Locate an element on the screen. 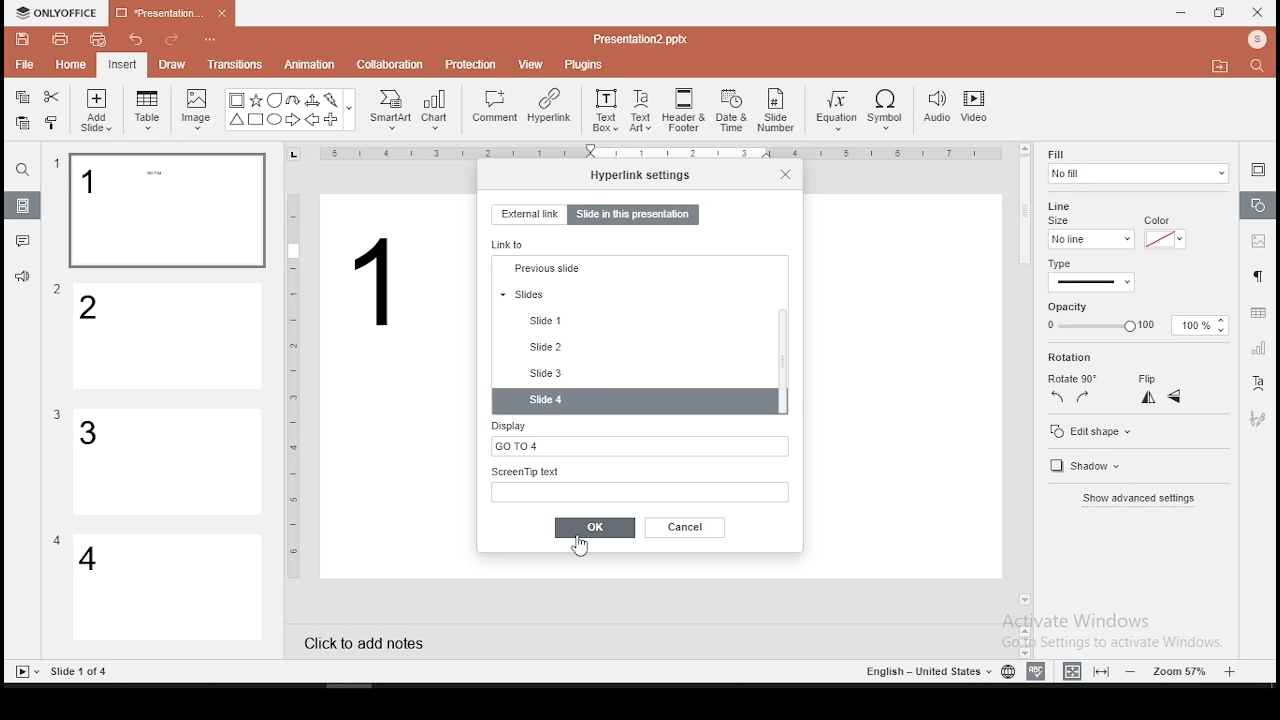 This screenshot has height=720, width=1280. comments is located at coordinates (23, 241).